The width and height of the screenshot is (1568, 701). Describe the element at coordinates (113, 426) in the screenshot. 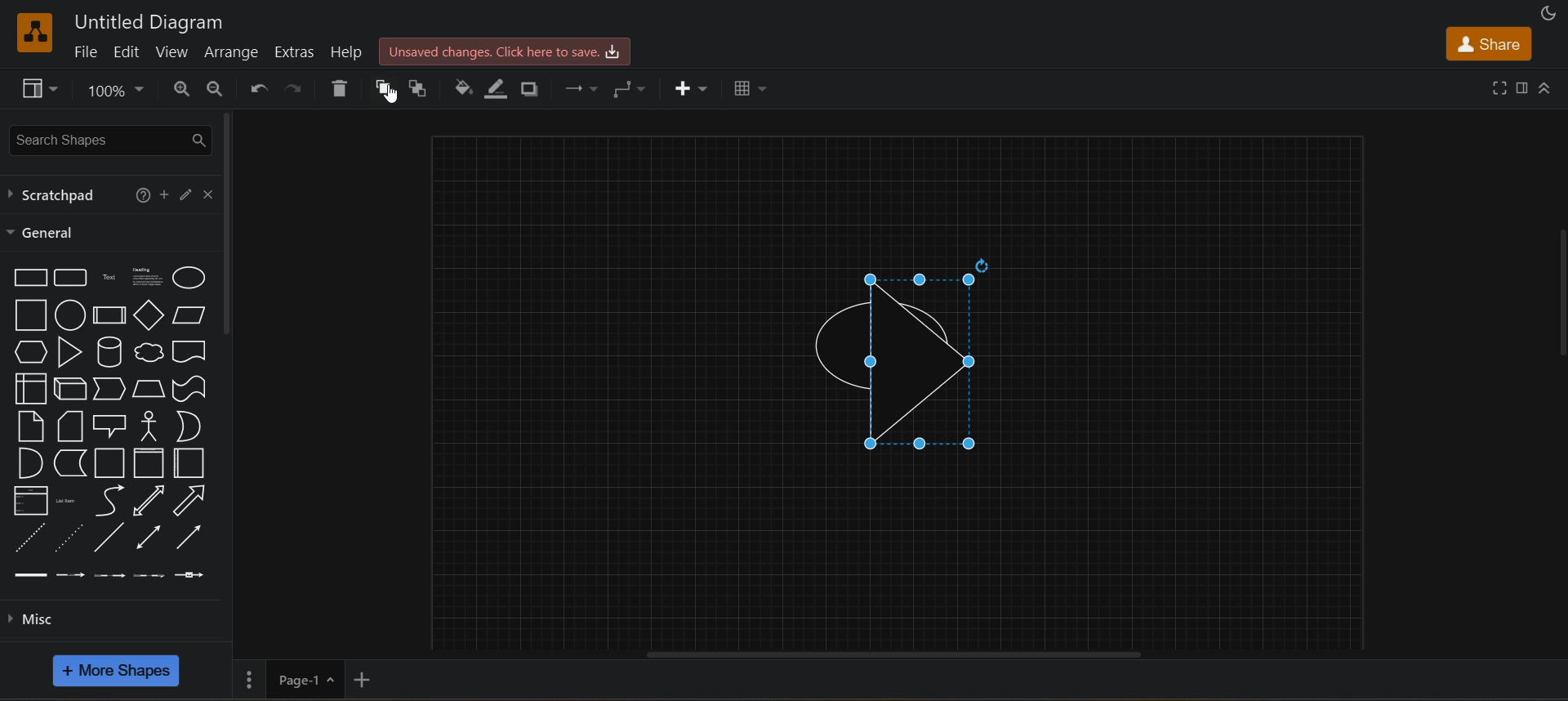

I see `callout` at that location.